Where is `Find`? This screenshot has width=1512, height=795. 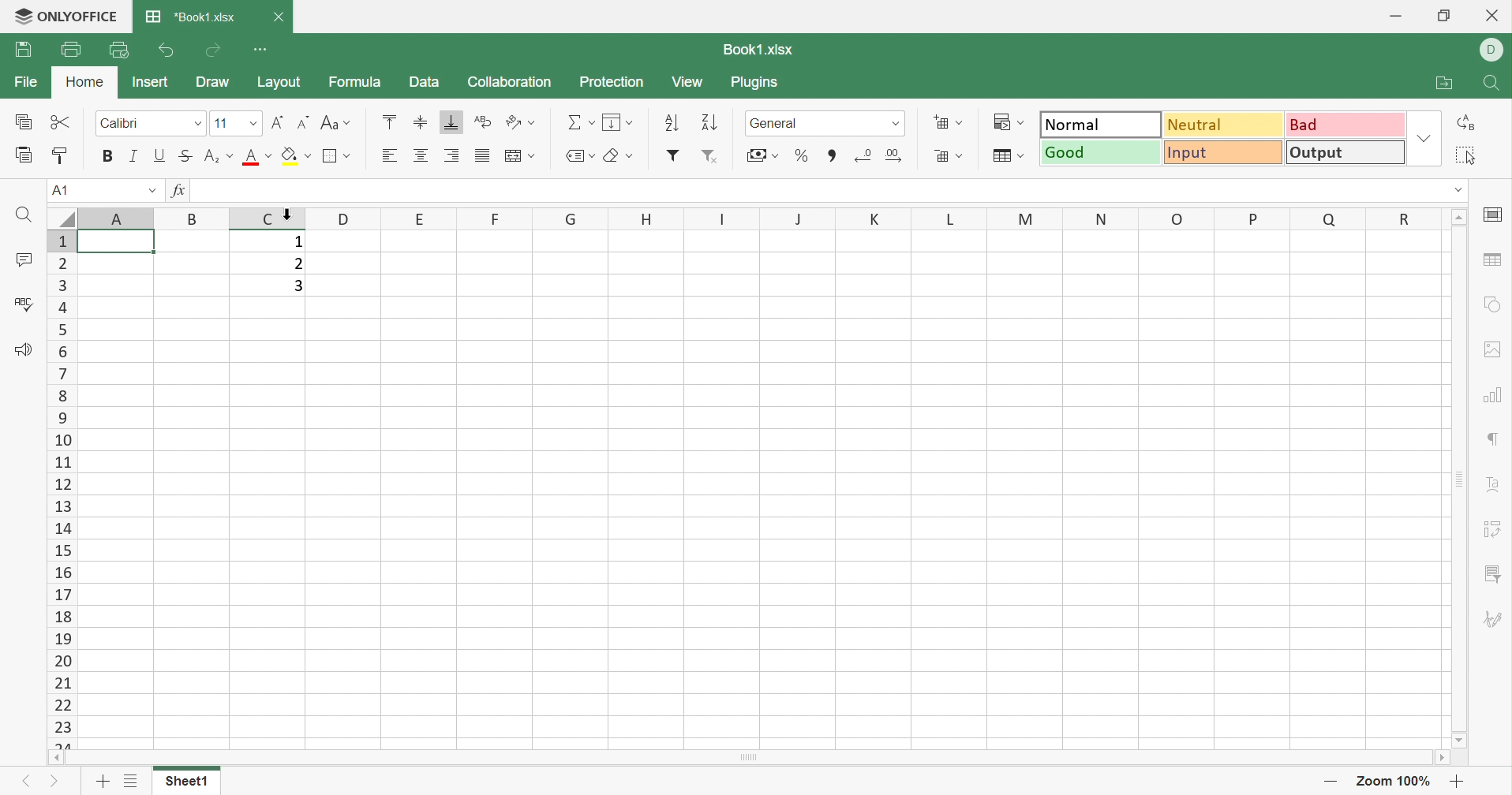 Find is located at coordinates (1492, 81).